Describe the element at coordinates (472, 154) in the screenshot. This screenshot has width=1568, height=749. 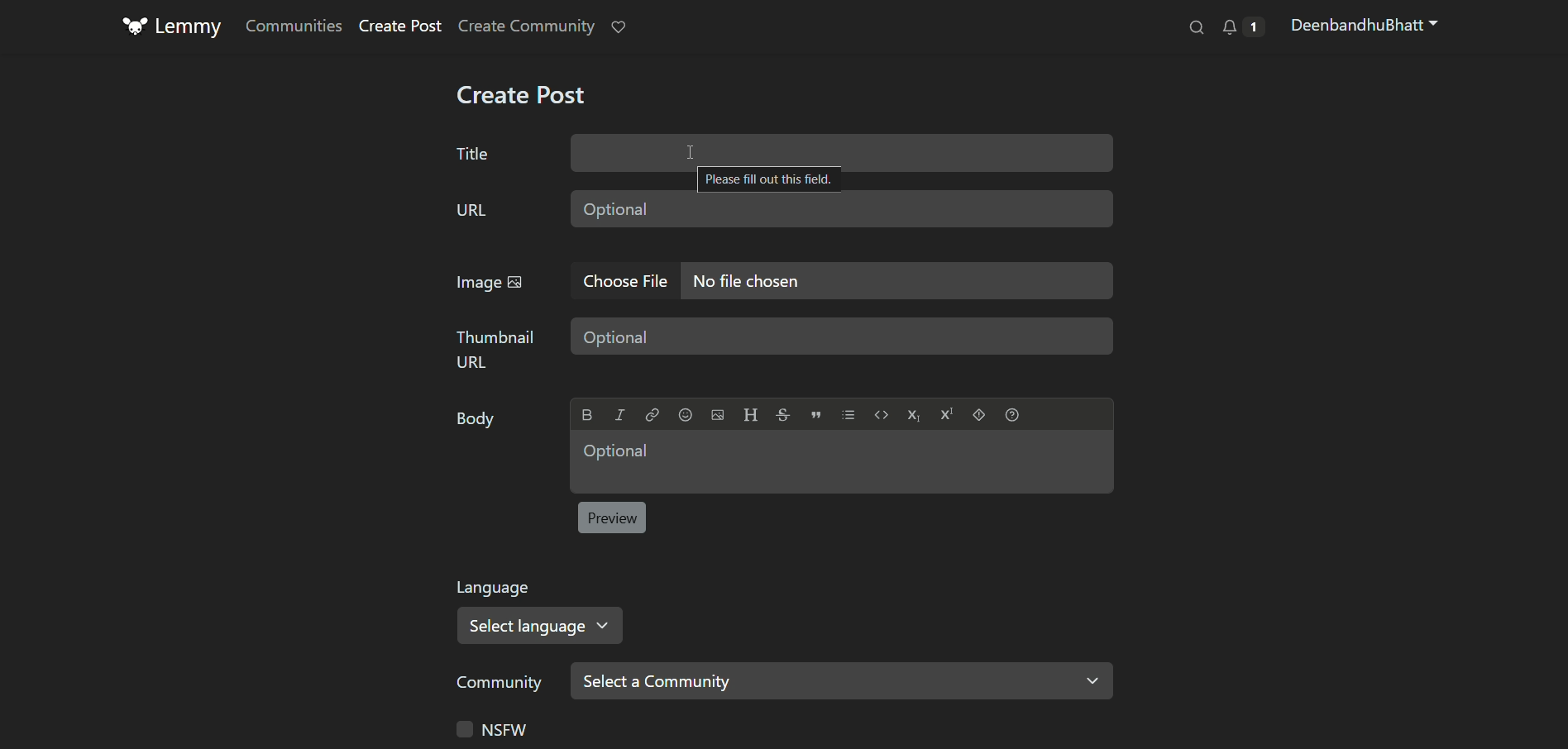
I see `title` at that location.